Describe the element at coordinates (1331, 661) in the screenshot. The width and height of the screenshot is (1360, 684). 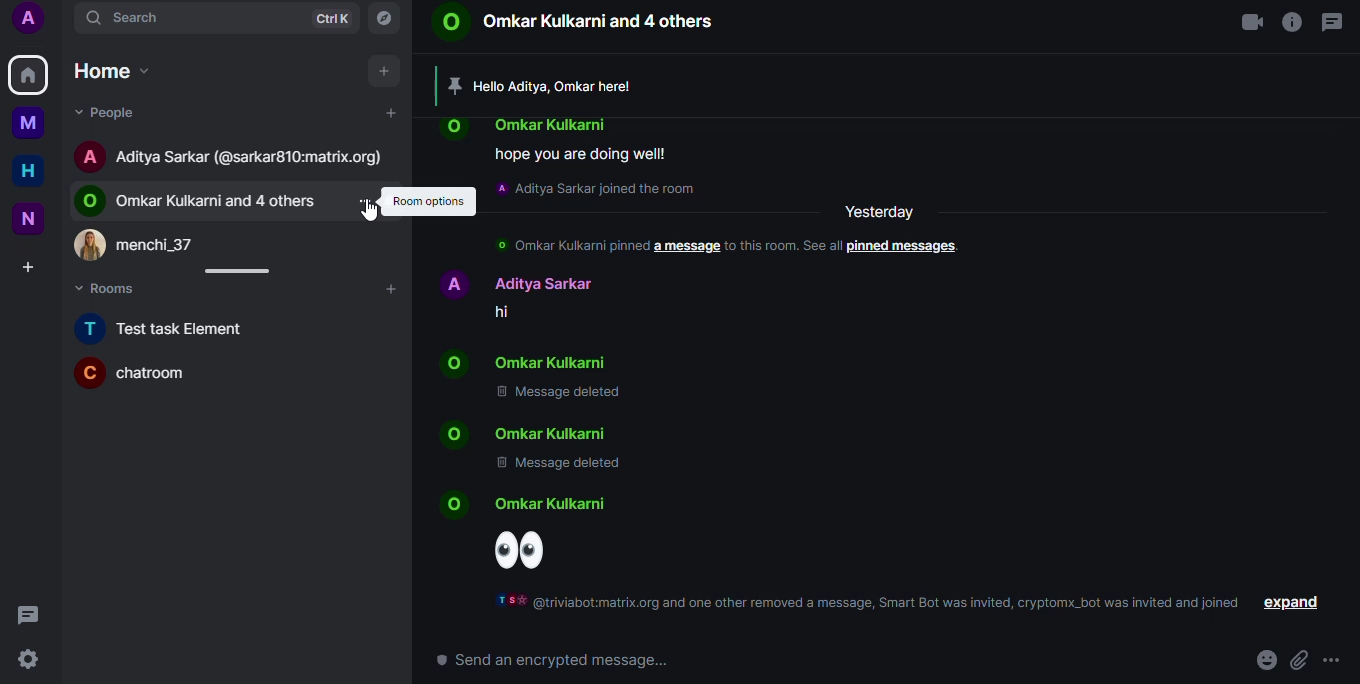
I see `more` at that location.